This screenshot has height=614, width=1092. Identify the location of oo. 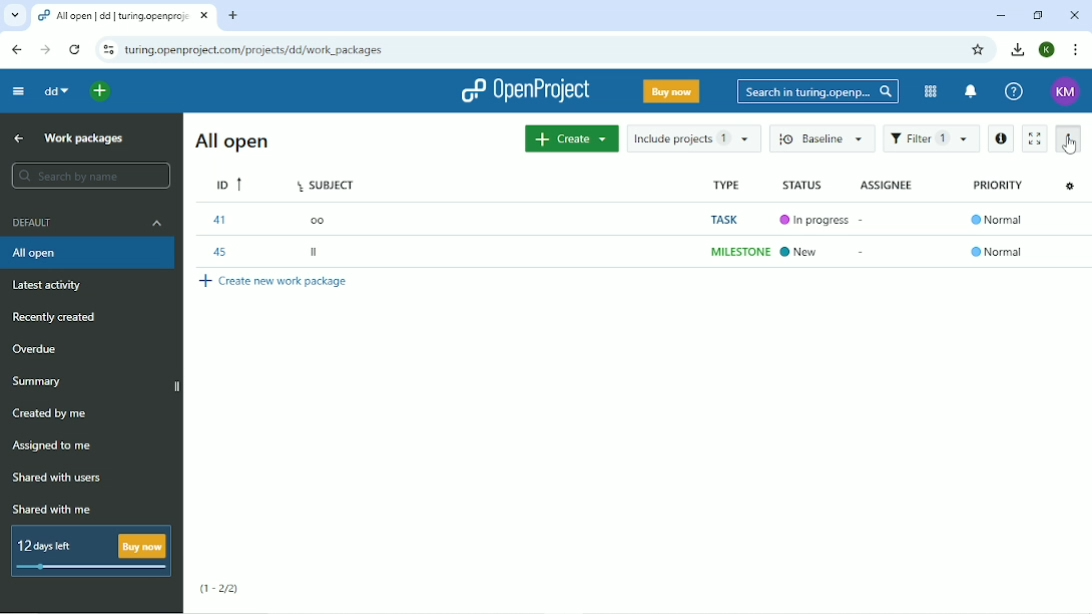
(316, 219).